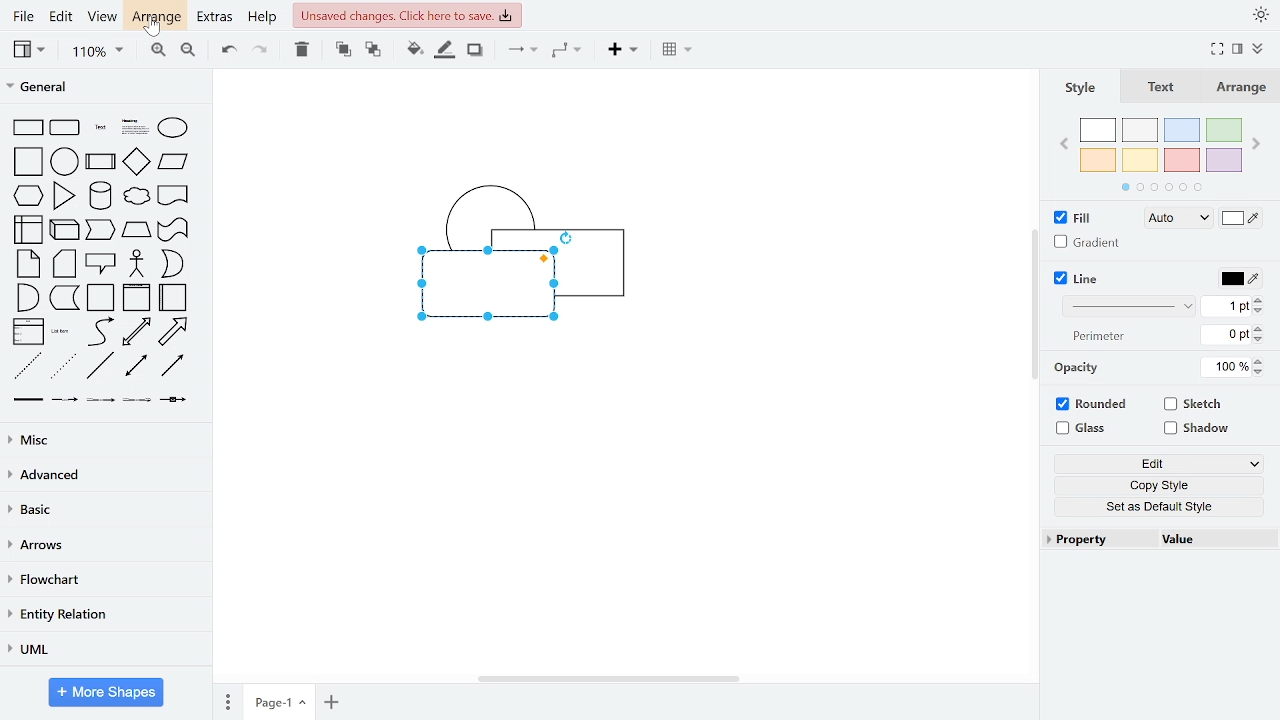 The width and height of the screenshot is (1280, 720). What do you see at coordinates (407, 17) in the screenshot?
I see `unsaved changes. Click here to save` at bounding box center [407, 17].